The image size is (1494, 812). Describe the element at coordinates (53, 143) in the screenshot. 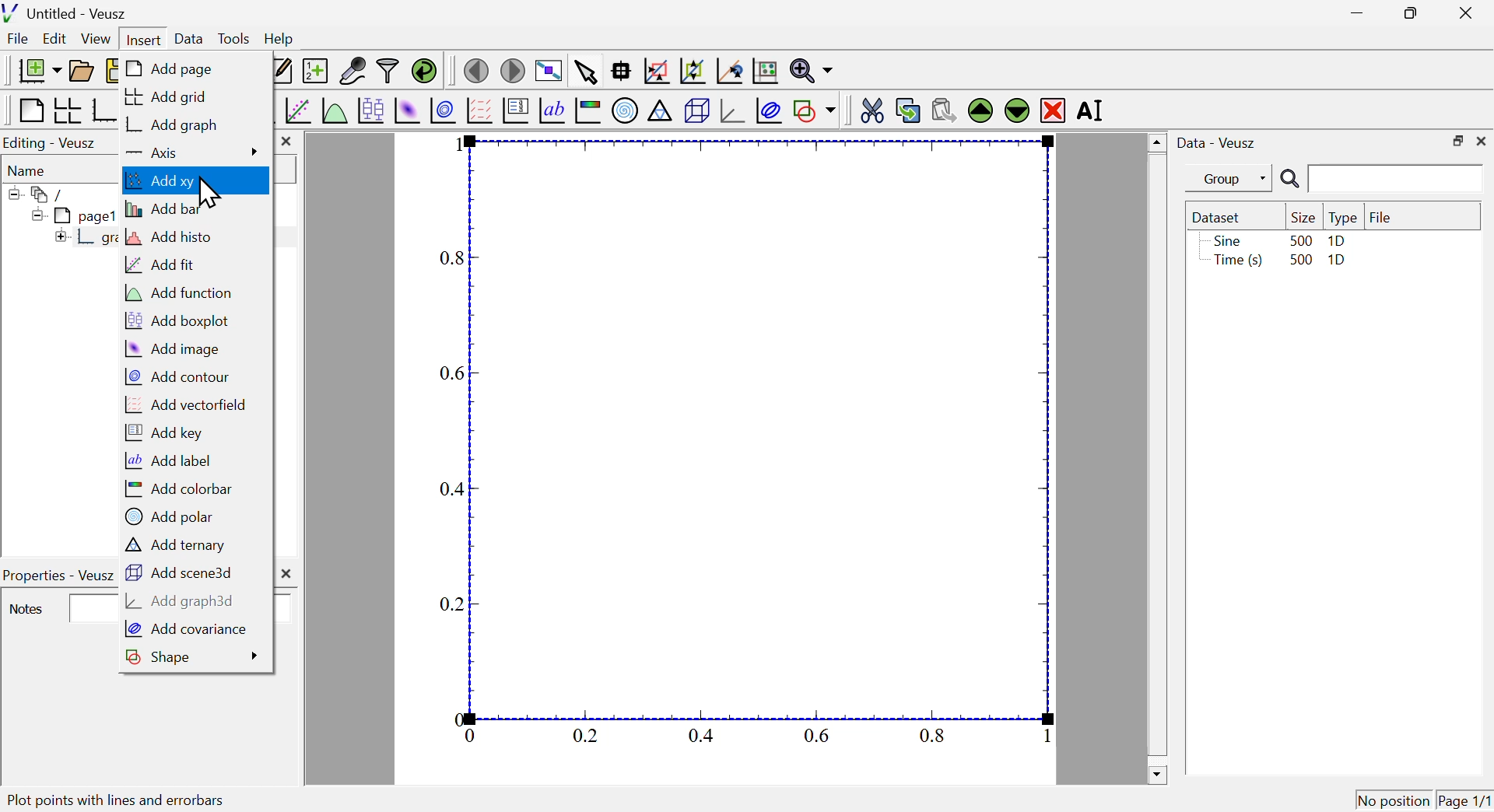

I see `Editing Veusz` at that location.